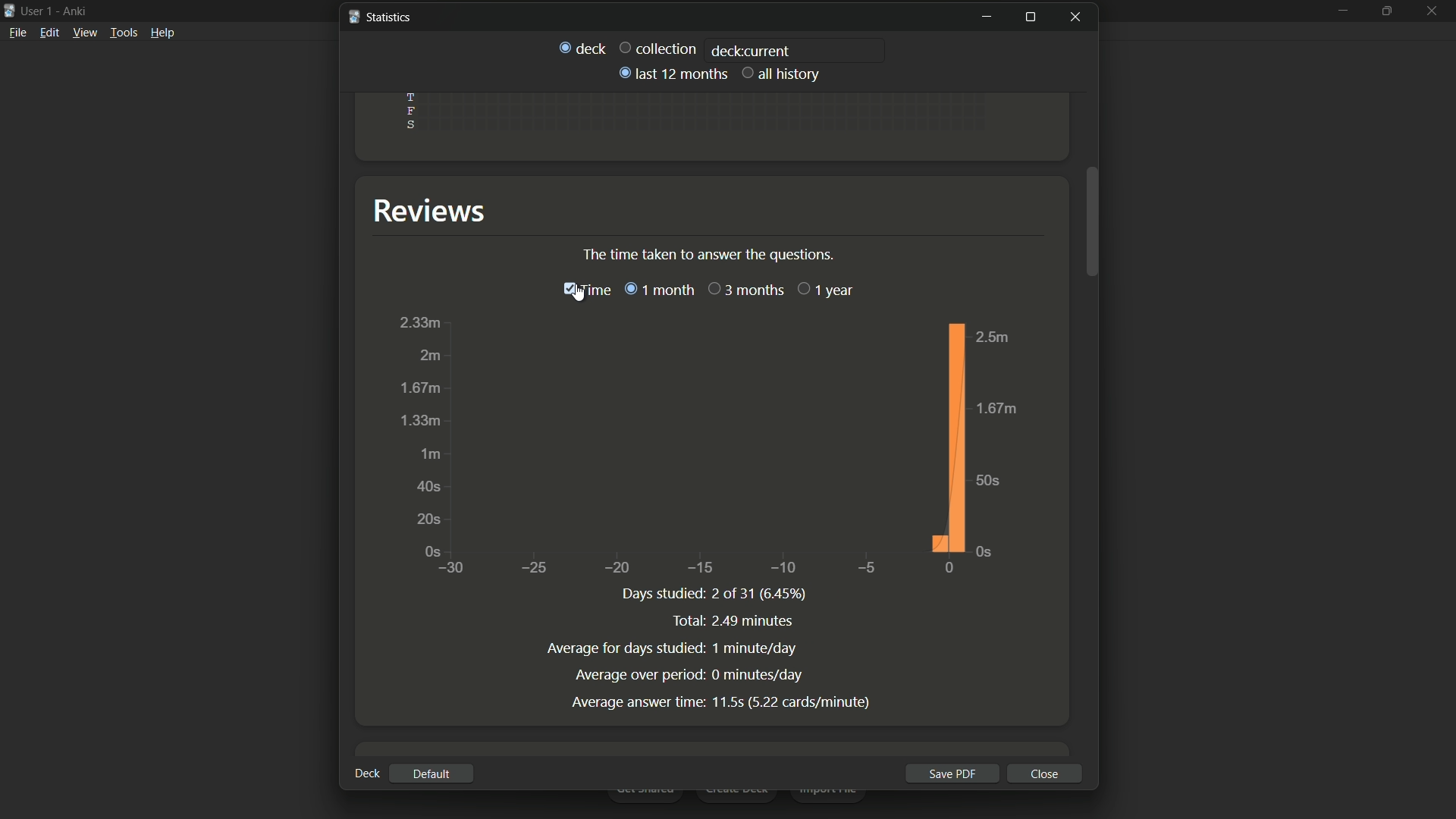 Image resolution: width=1456 pixels, height=819 pixels. What do you see at coordinates (764, 595) in the screenshot?
I see `2 of 31(6.45%)` at bounding box center [764, 595].